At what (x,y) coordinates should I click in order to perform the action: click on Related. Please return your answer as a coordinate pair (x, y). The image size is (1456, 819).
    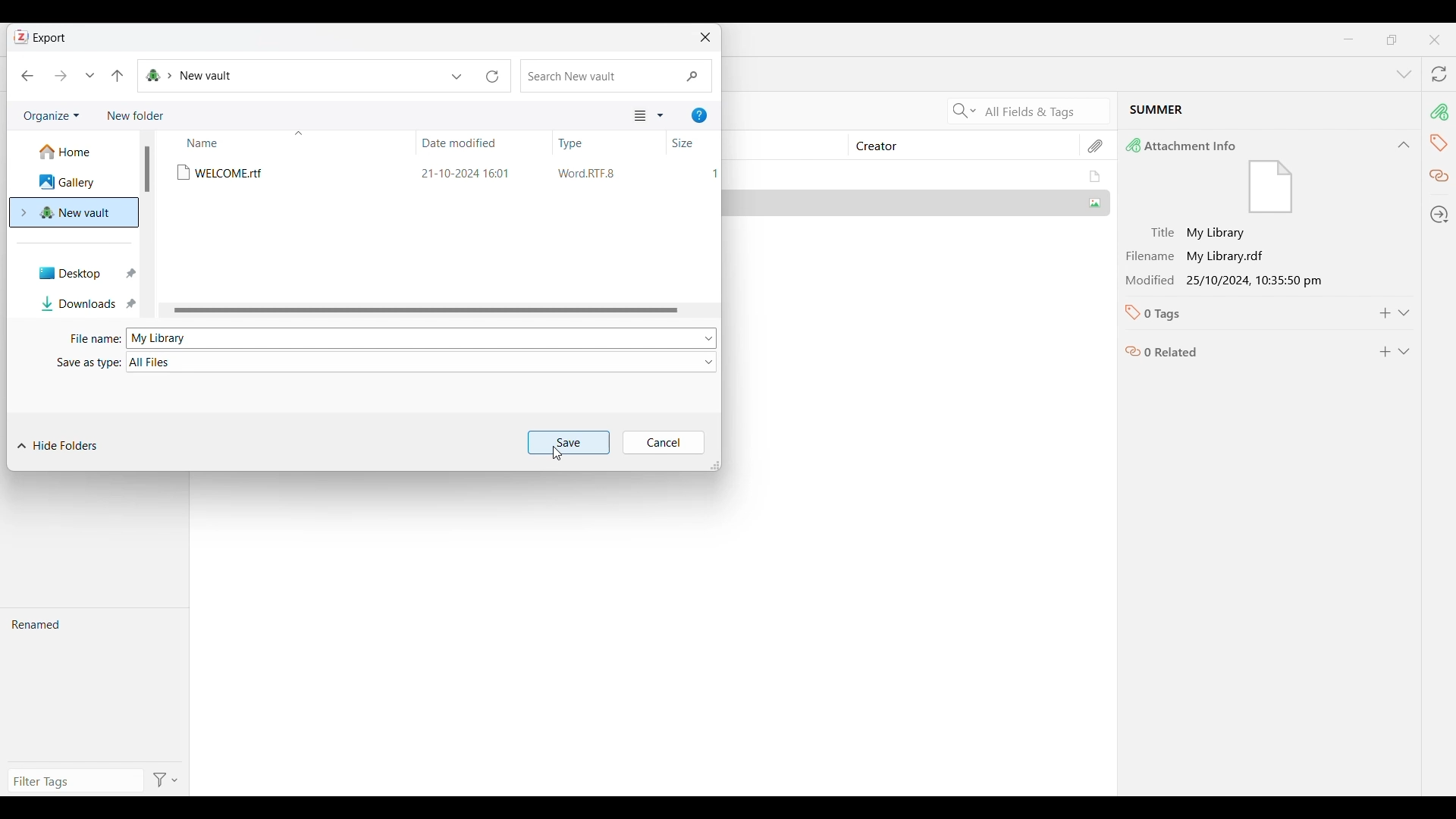
    Looking at the image, I should click on (1439, 177).